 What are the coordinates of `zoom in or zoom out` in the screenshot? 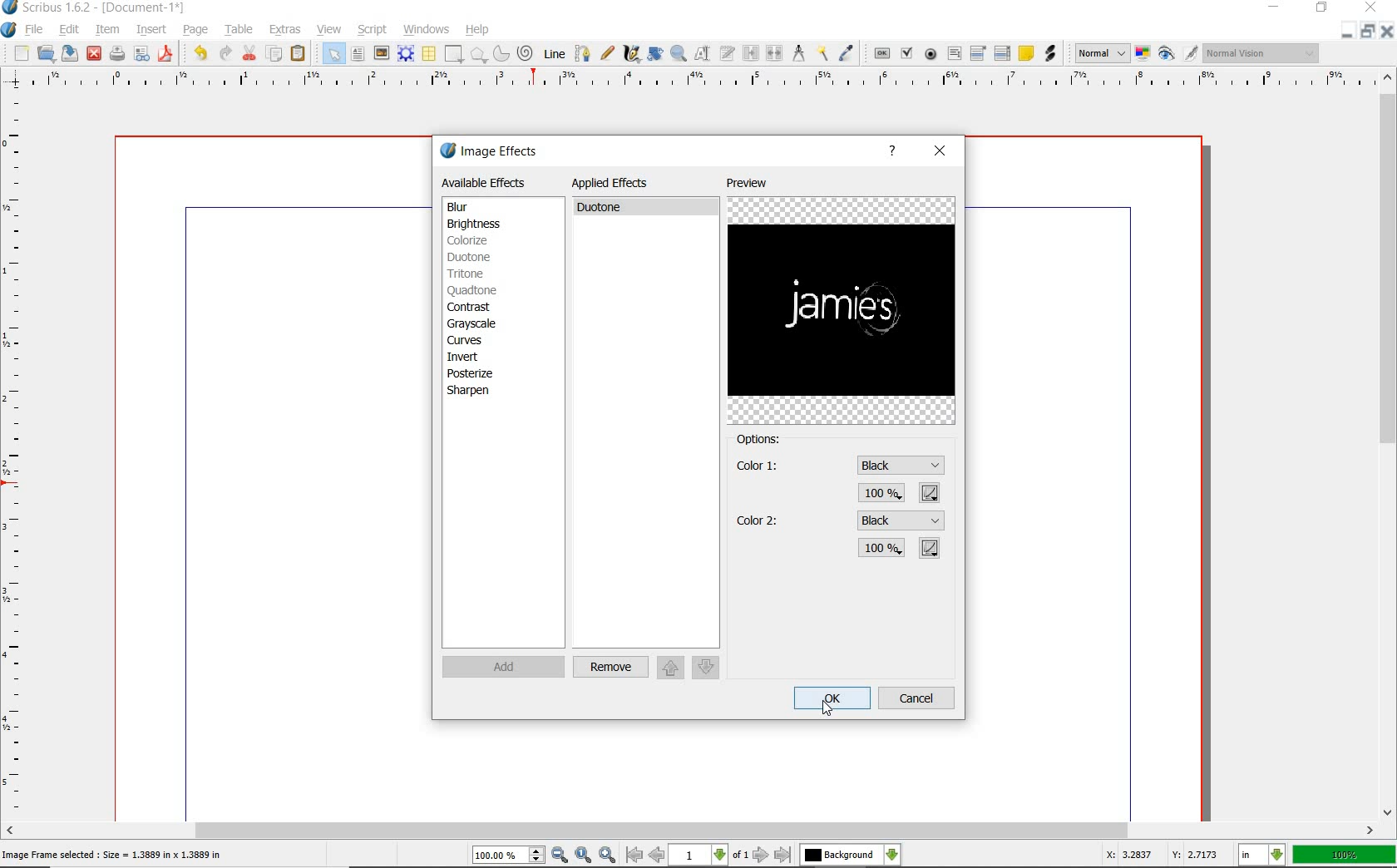 It's located at (679, 53).